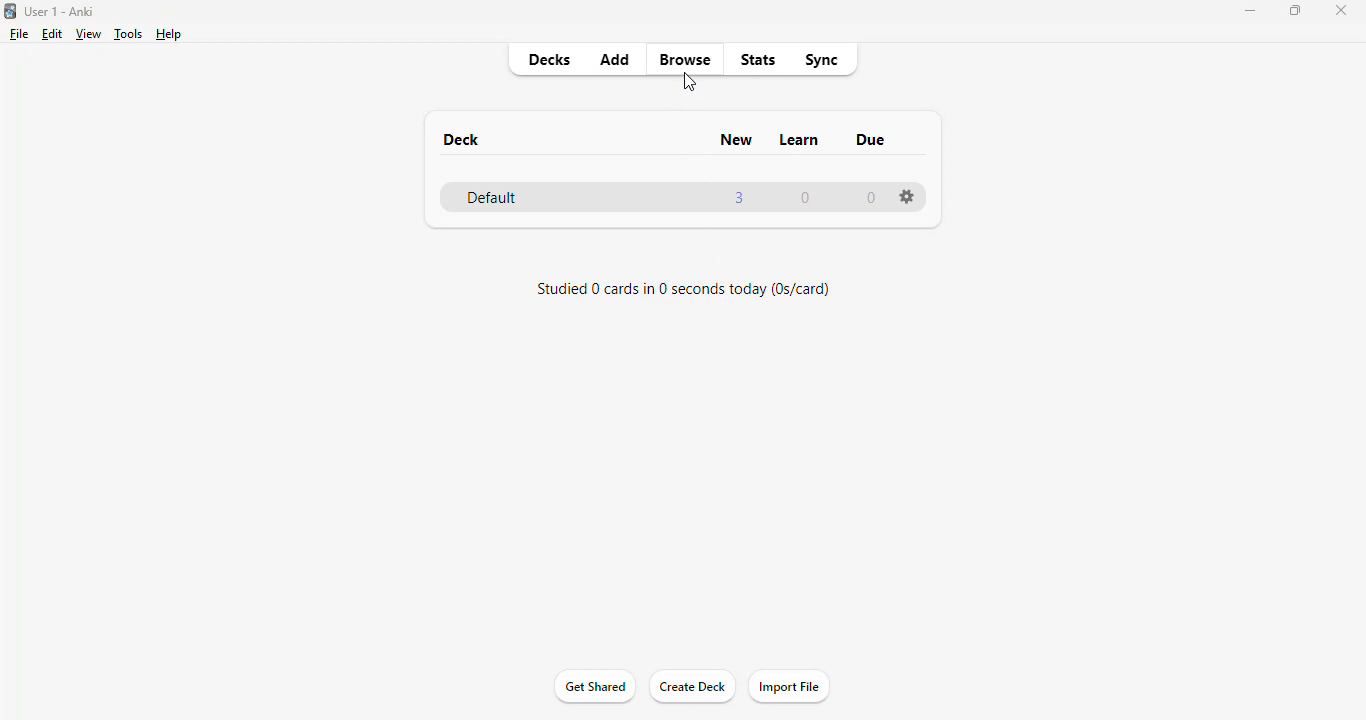 The image size is (1366, 720). I want to click on title, so click(61, 11).